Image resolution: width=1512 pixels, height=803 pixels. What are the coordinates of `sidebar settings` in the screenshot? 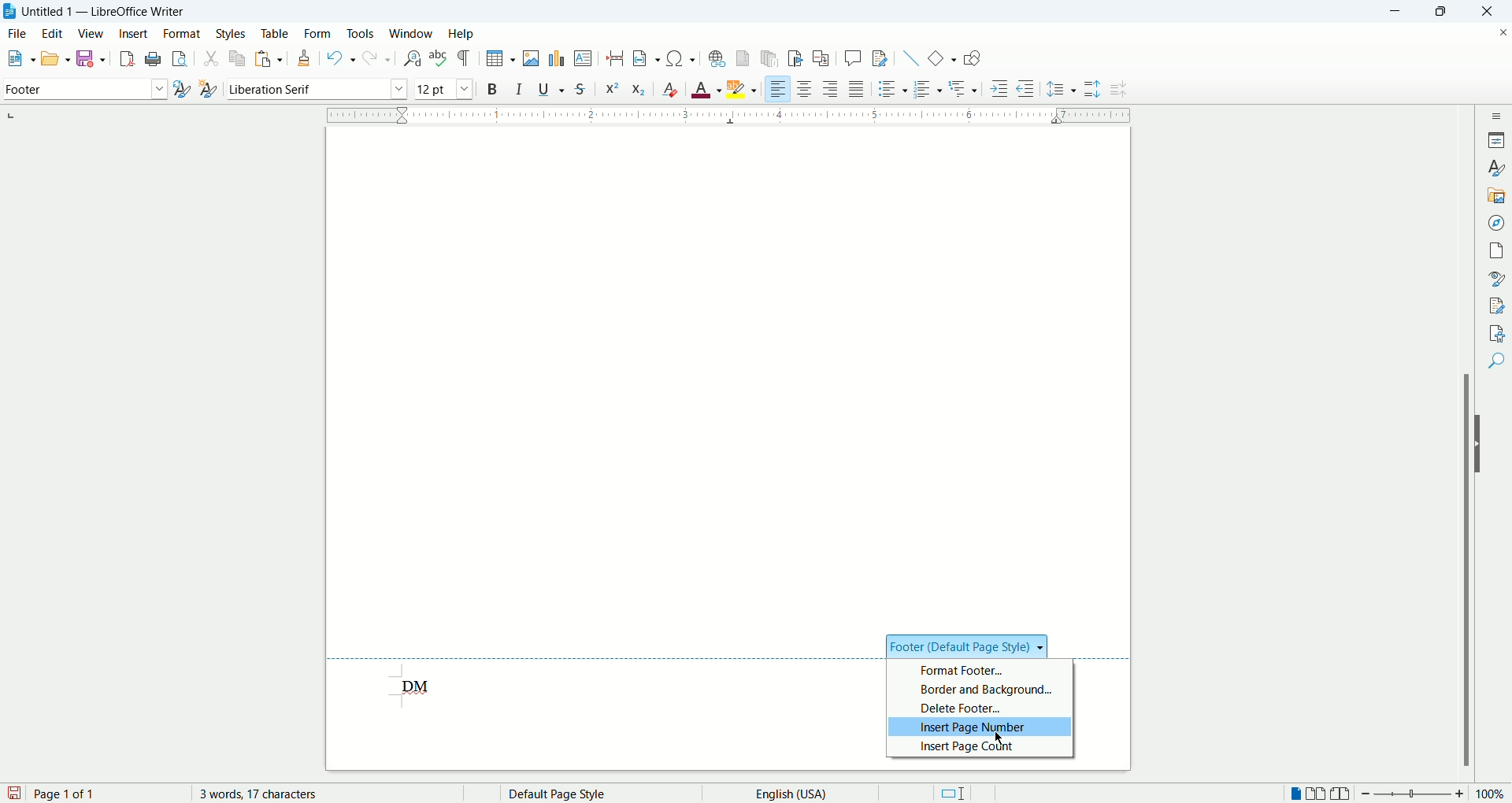 It's located at (1499, 113).